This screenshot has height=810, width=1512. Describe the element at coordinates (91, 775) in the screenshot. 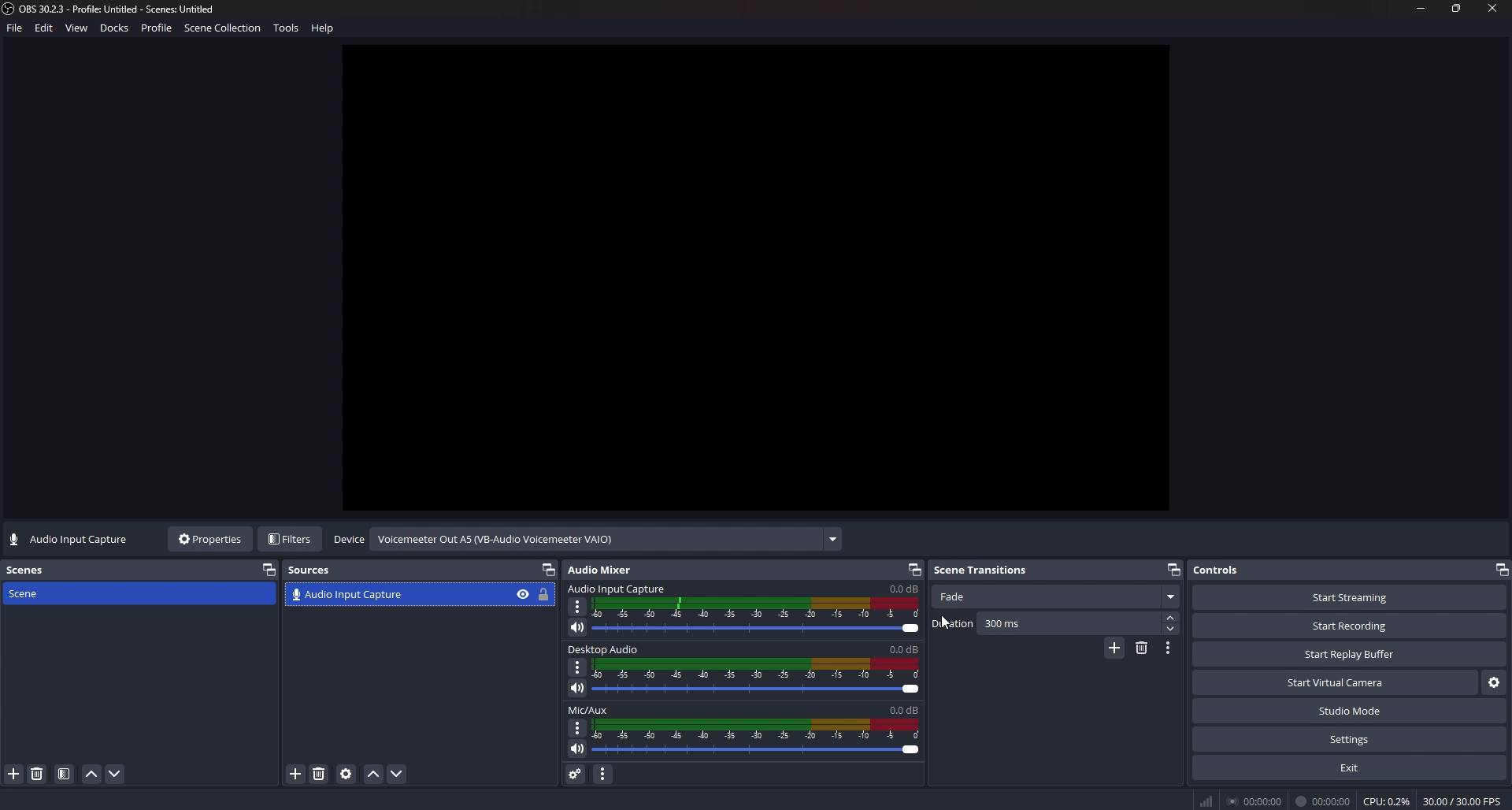

I see `move scene up` at that location.